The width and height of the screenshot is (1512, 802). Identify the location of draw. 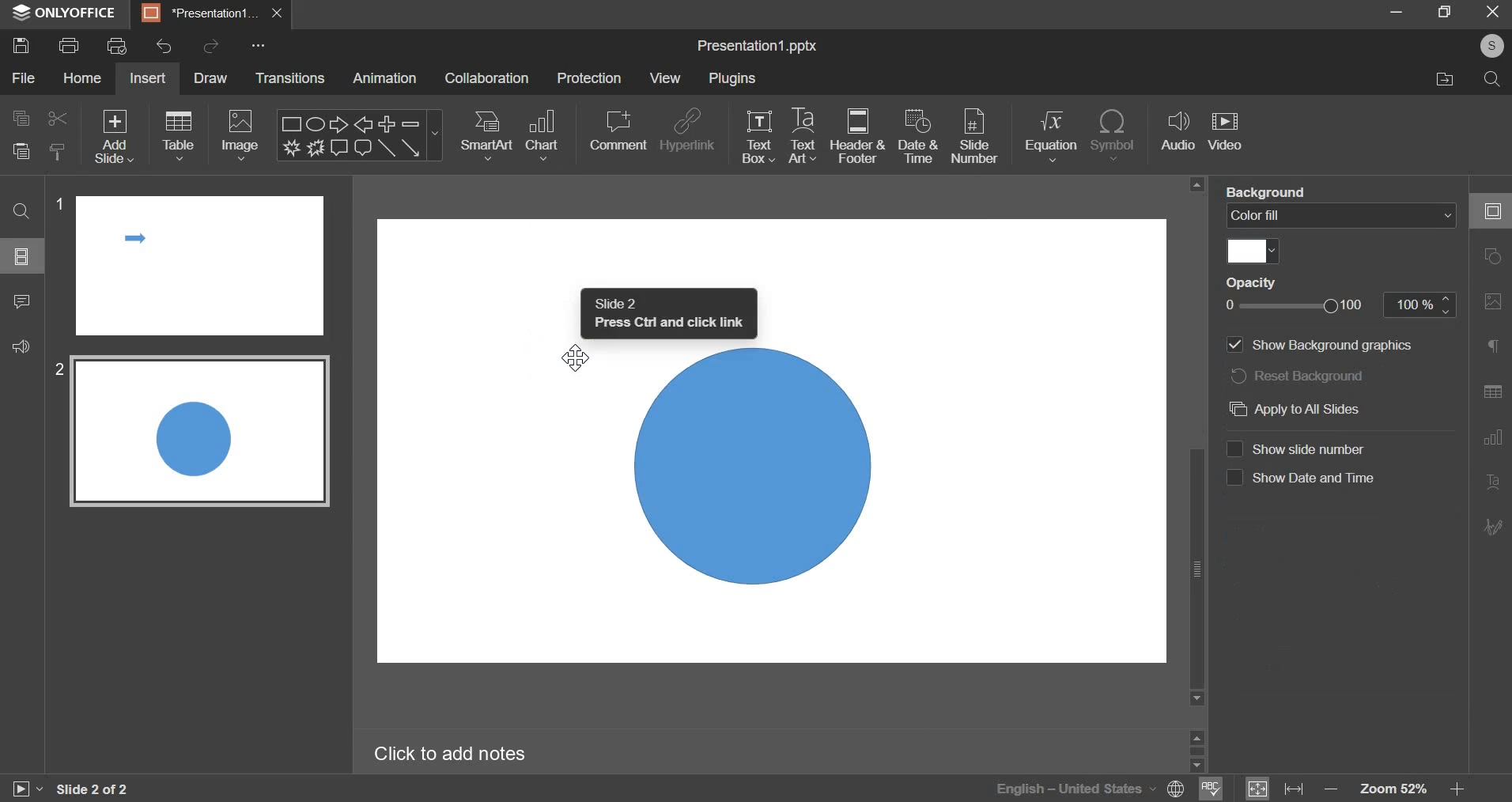
(210, 78).